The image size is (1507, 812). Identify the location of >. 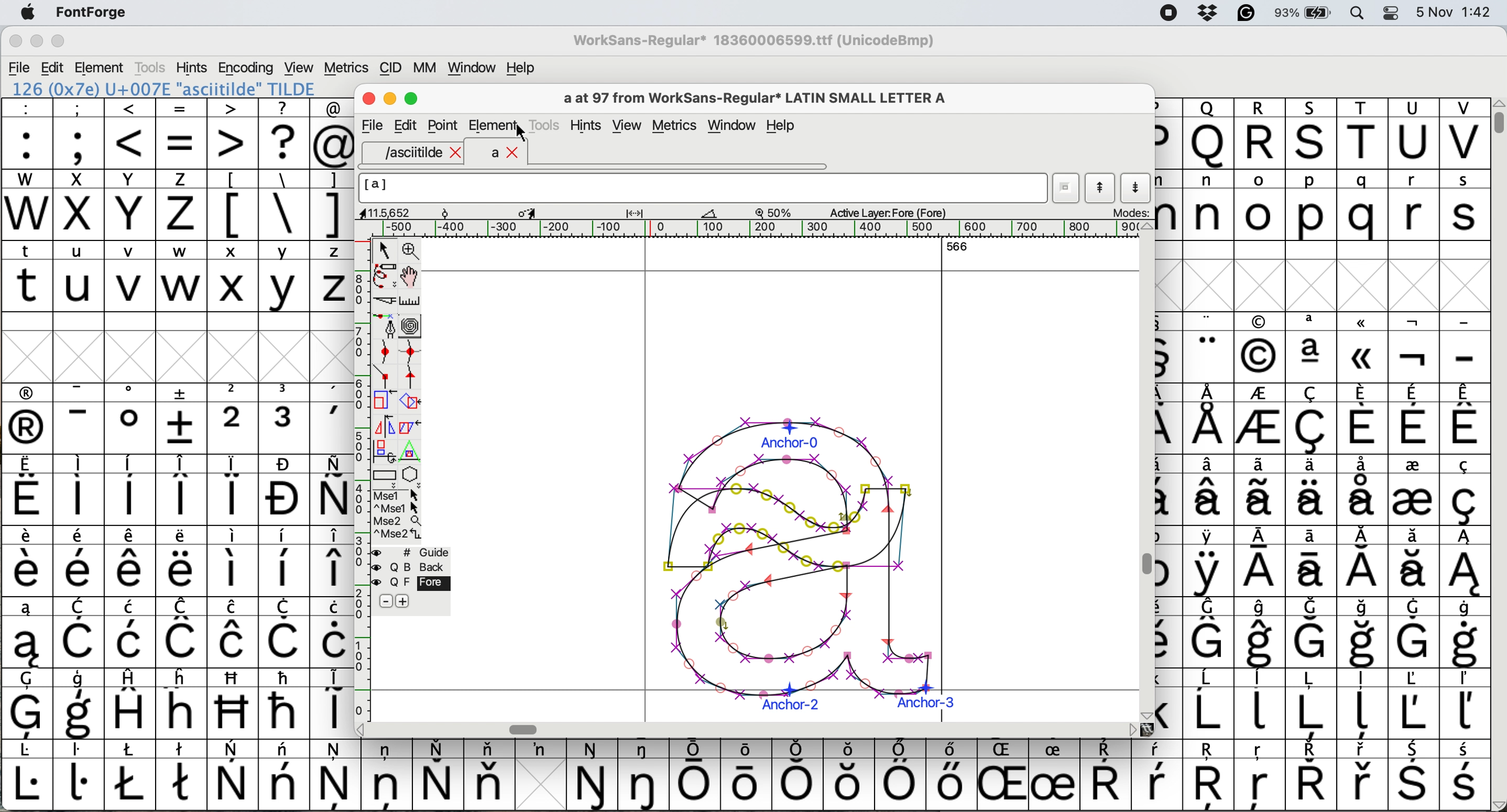
(233, 133).